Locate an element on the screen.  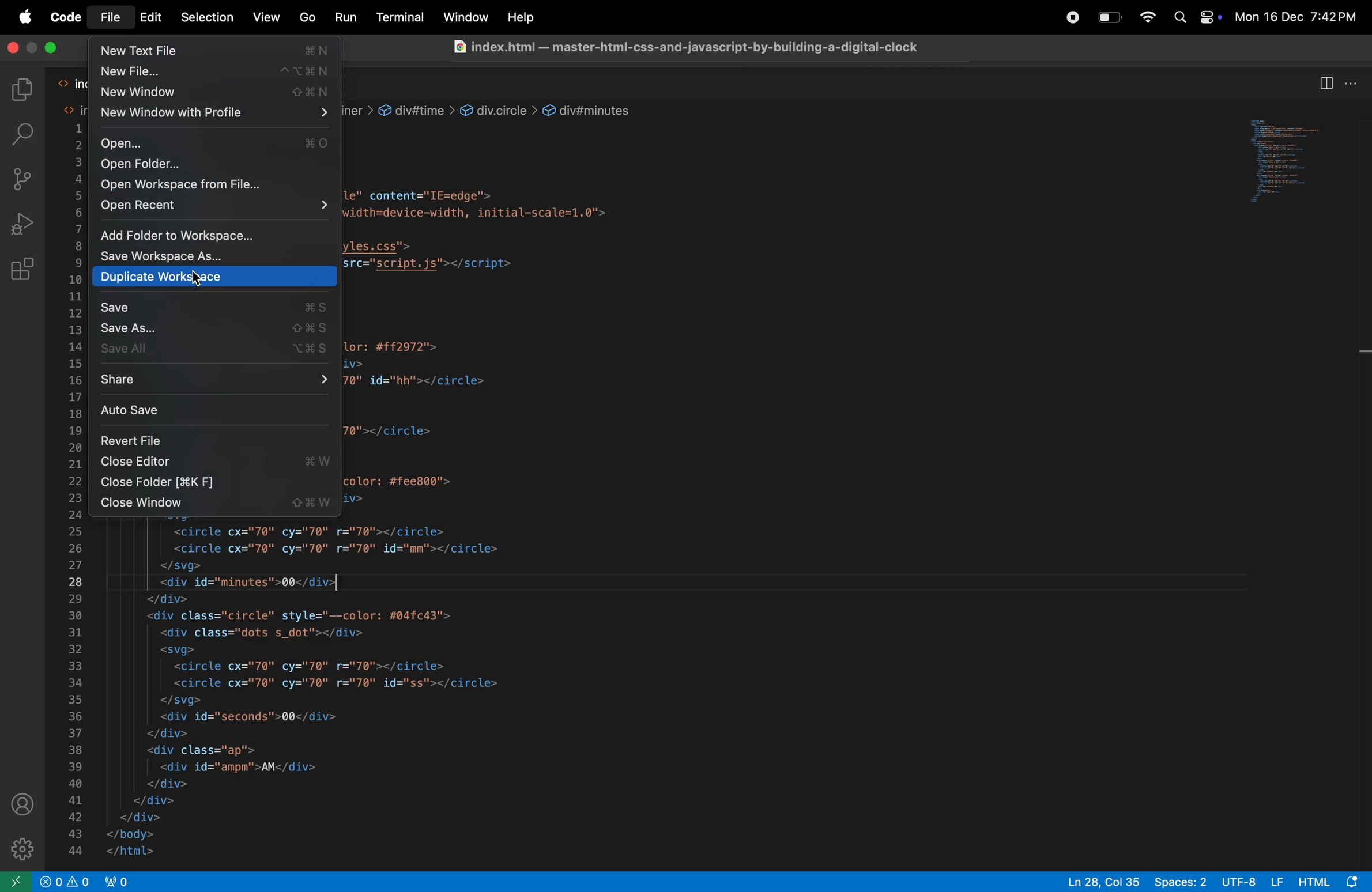
Mon 16 Dec 7:42 PM is located at coordinates (1297, 16).